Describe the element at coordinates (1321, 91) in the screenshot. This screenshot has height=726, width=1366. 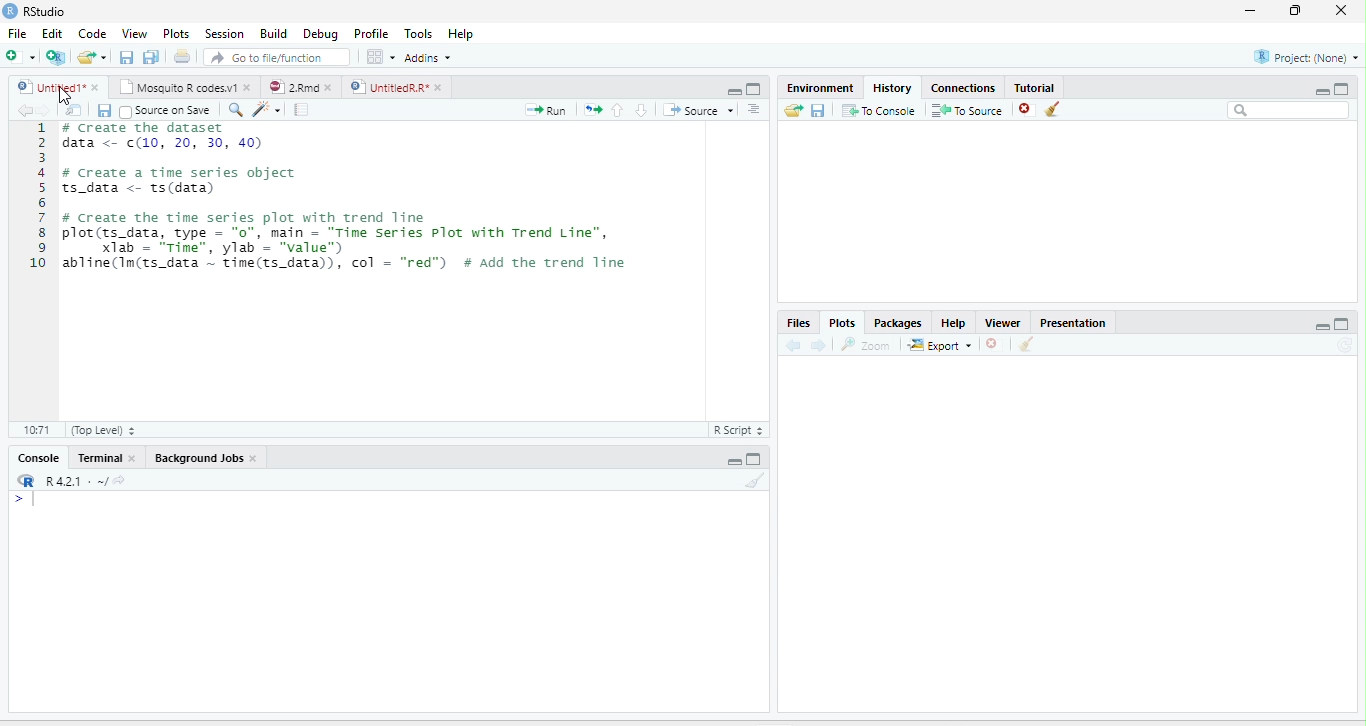
I see `Minimize` at that location.